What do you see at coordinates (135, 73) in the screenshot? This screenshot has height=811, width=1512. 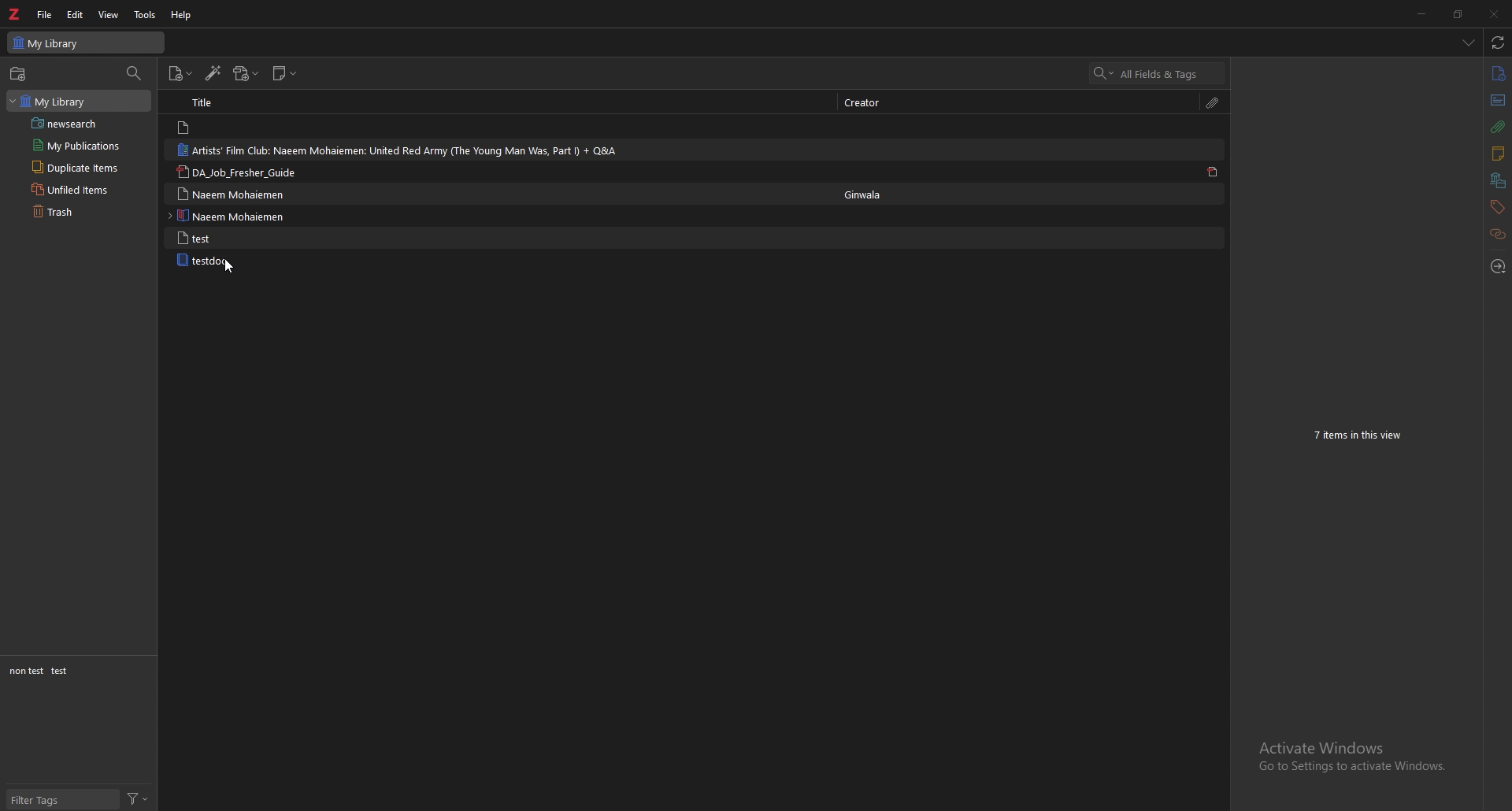 I see `filter collections` at bounding box center [135, 73].